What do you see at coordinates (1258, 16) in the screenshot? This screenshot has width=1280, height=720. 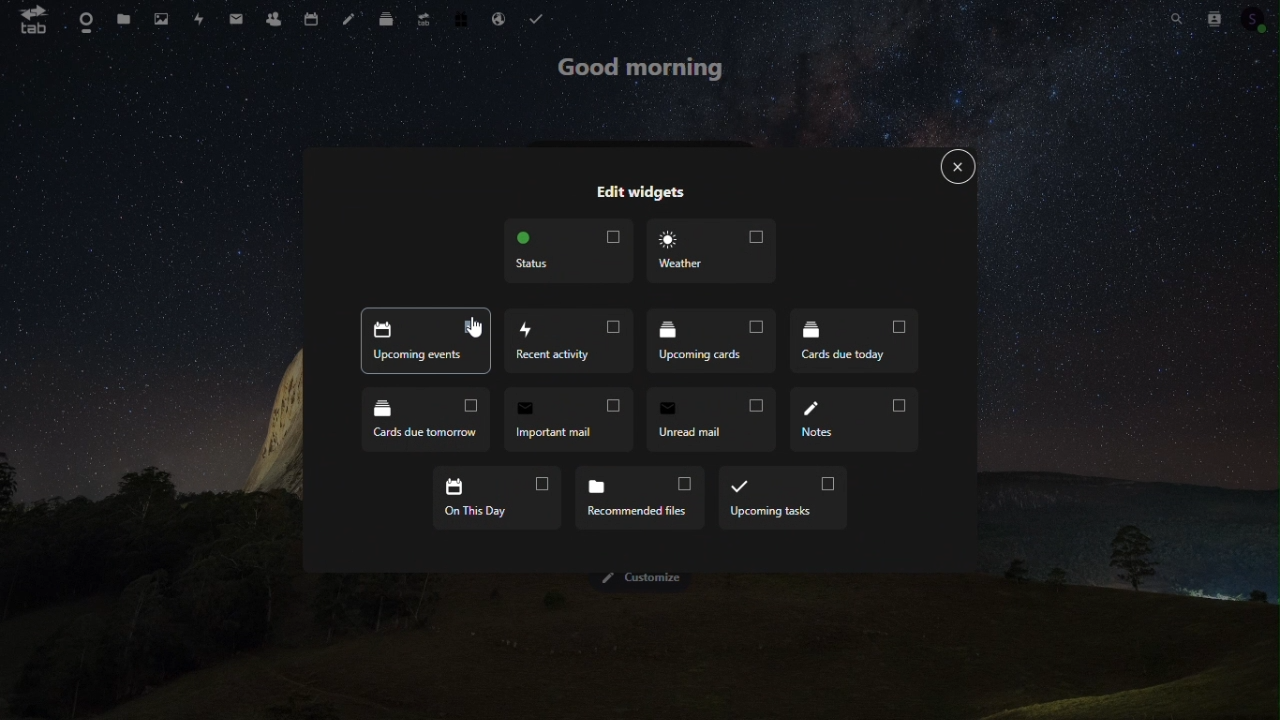 I see `Account icon` at bounding box center [1258, 16].